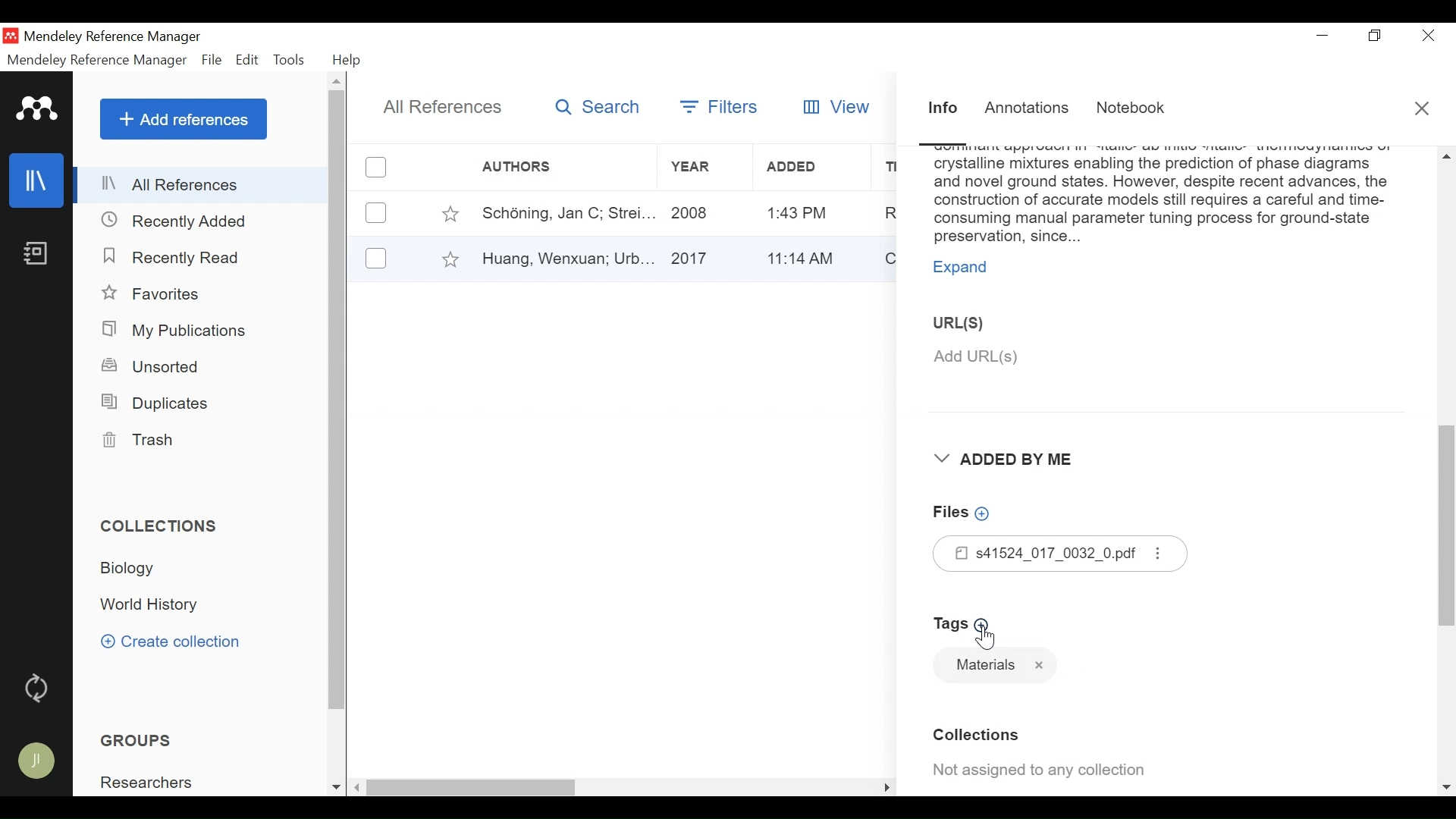 This screenshot has height=819, width=1456. What do you see at coordinates (703, 212) in the screenshot?
I see `Year` at bounding box center [703, 212].